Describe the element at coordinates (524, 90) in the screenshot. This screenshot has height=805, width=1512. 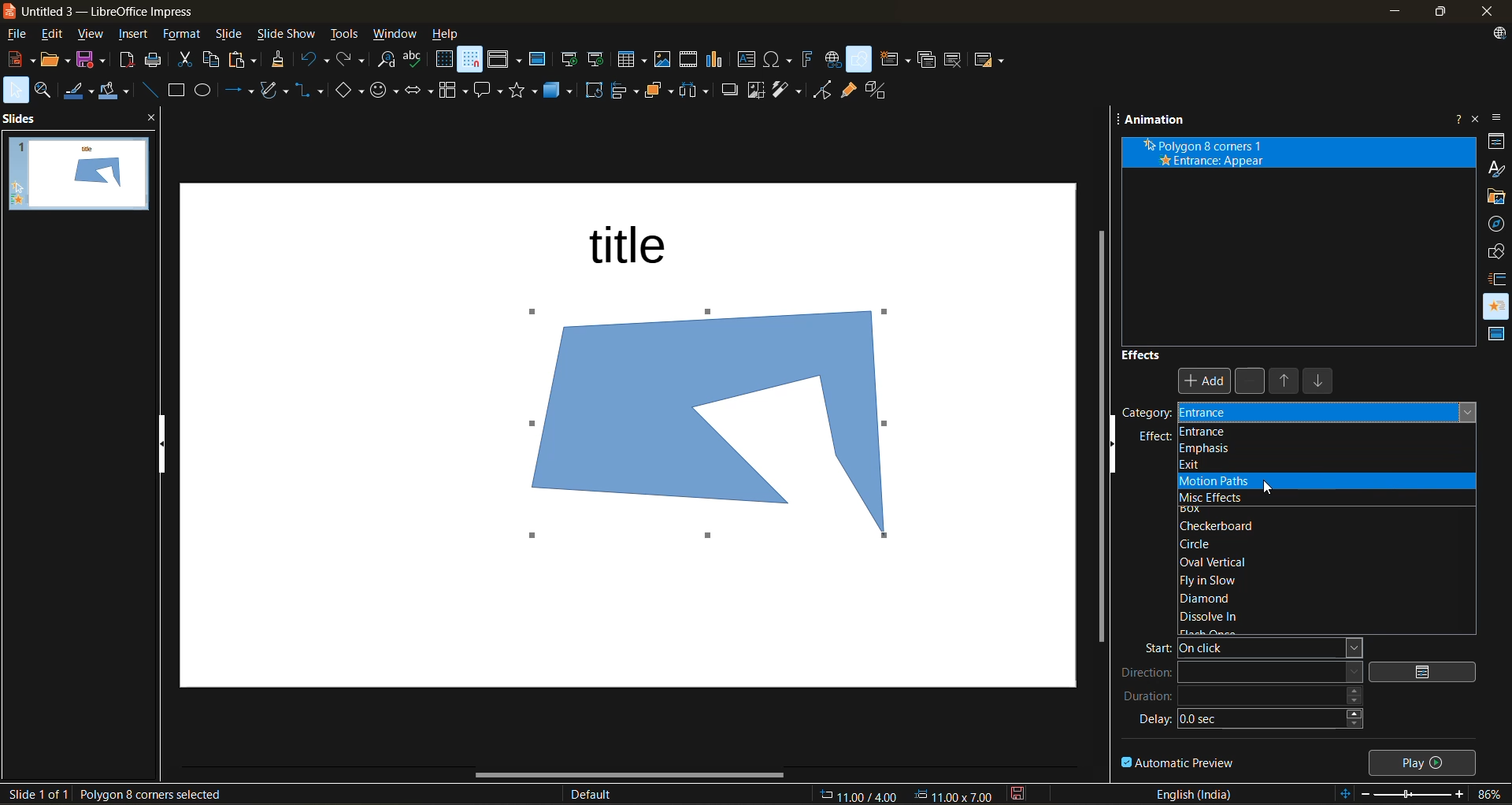
I see `stars and banners` at that location.